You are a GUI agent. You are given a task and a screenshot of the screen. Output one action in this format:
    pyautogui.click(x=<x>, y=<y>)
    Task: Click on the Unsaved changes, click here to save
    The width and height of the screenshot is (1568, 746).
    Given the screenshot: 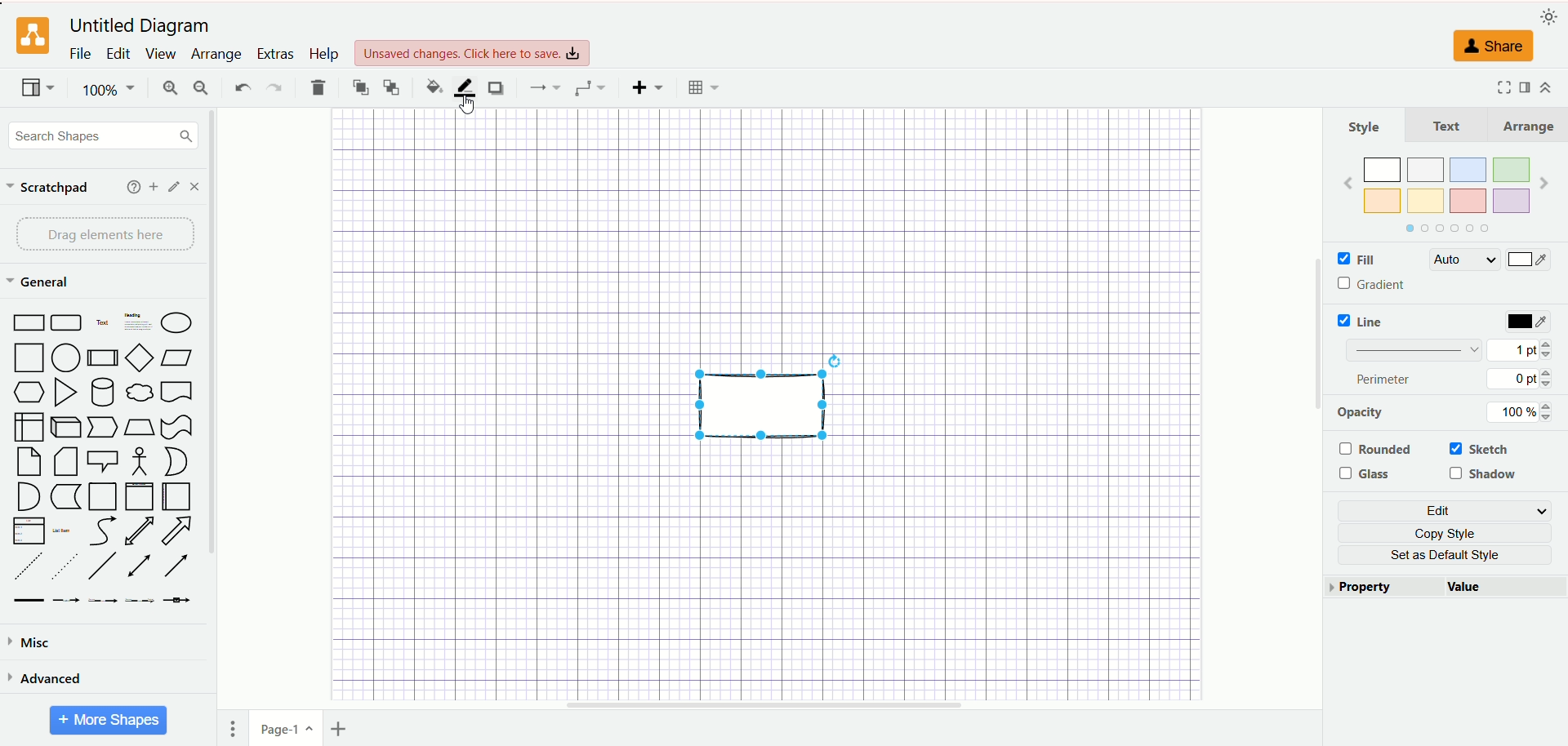 What is the action you would take?
    pyautogui.click(x=471, y=53)
    